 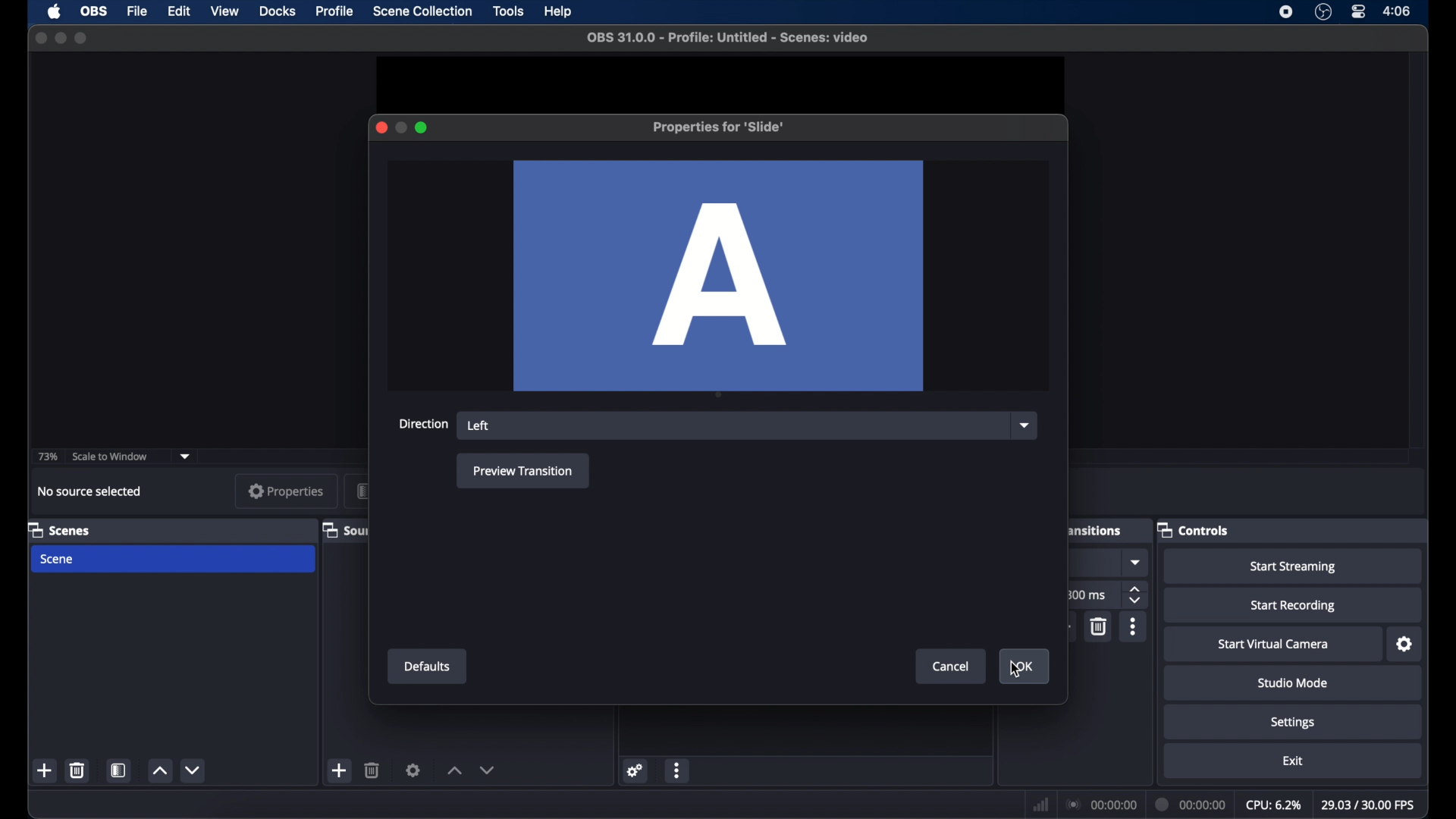 What do you see at coordinates (338, 770) in the screenshot?
I see `add` at bounding box center [338, 770].